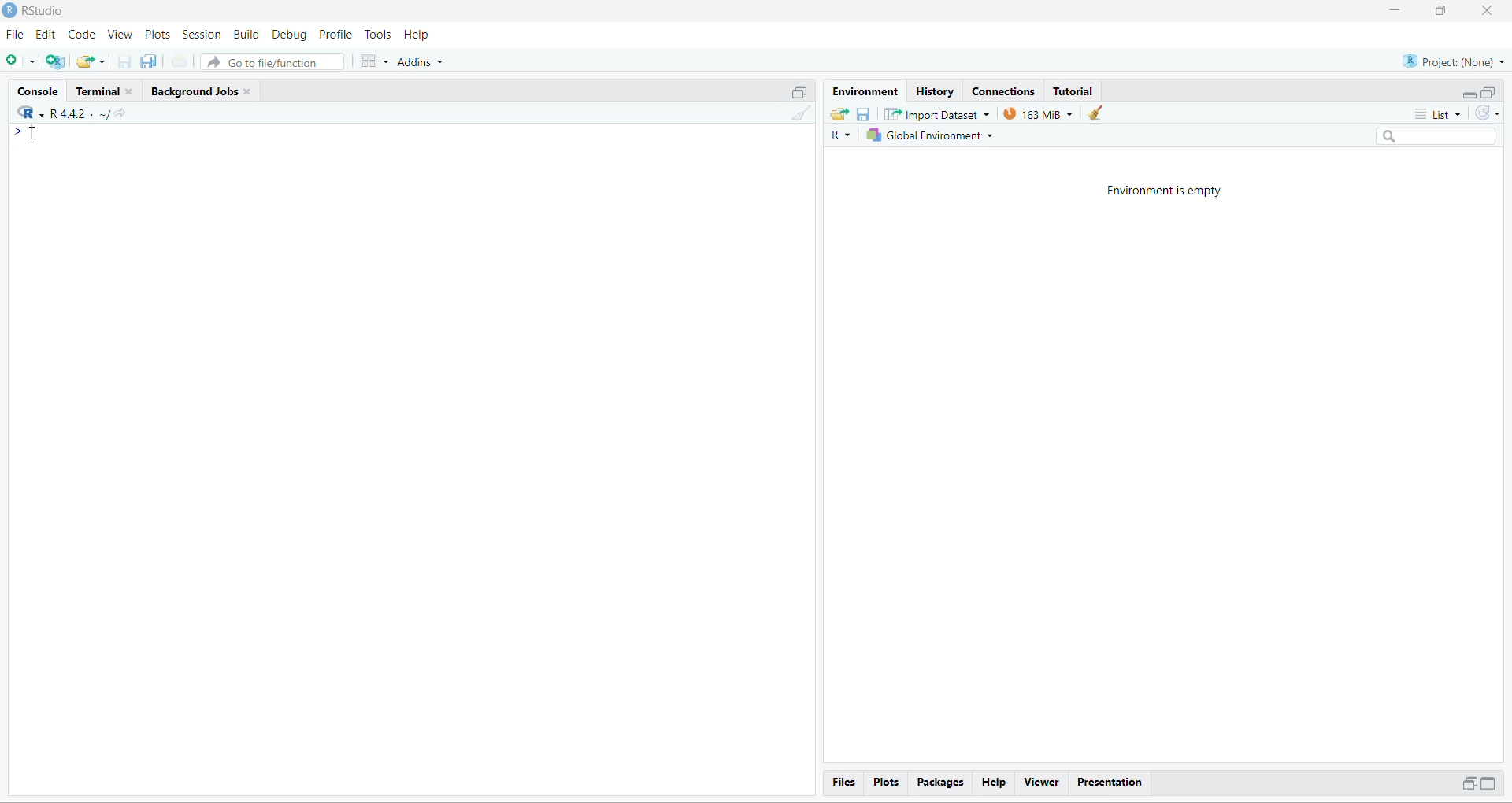 This screenshot has height=803, width=1512. I want to click on Packages, so click(940, 783).